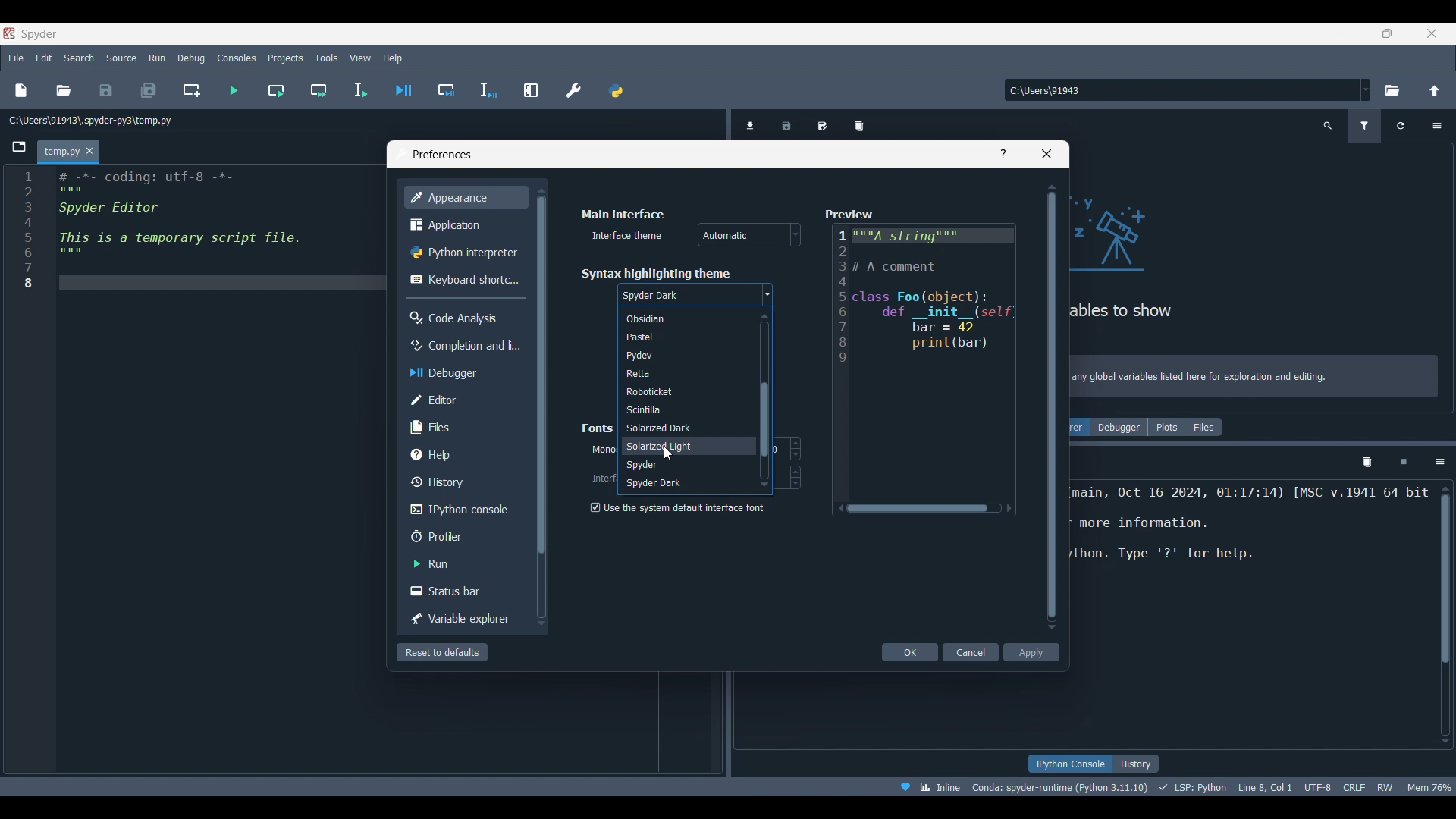 The image size is (1456, 819). I want to click on Application, so click(463, 224).